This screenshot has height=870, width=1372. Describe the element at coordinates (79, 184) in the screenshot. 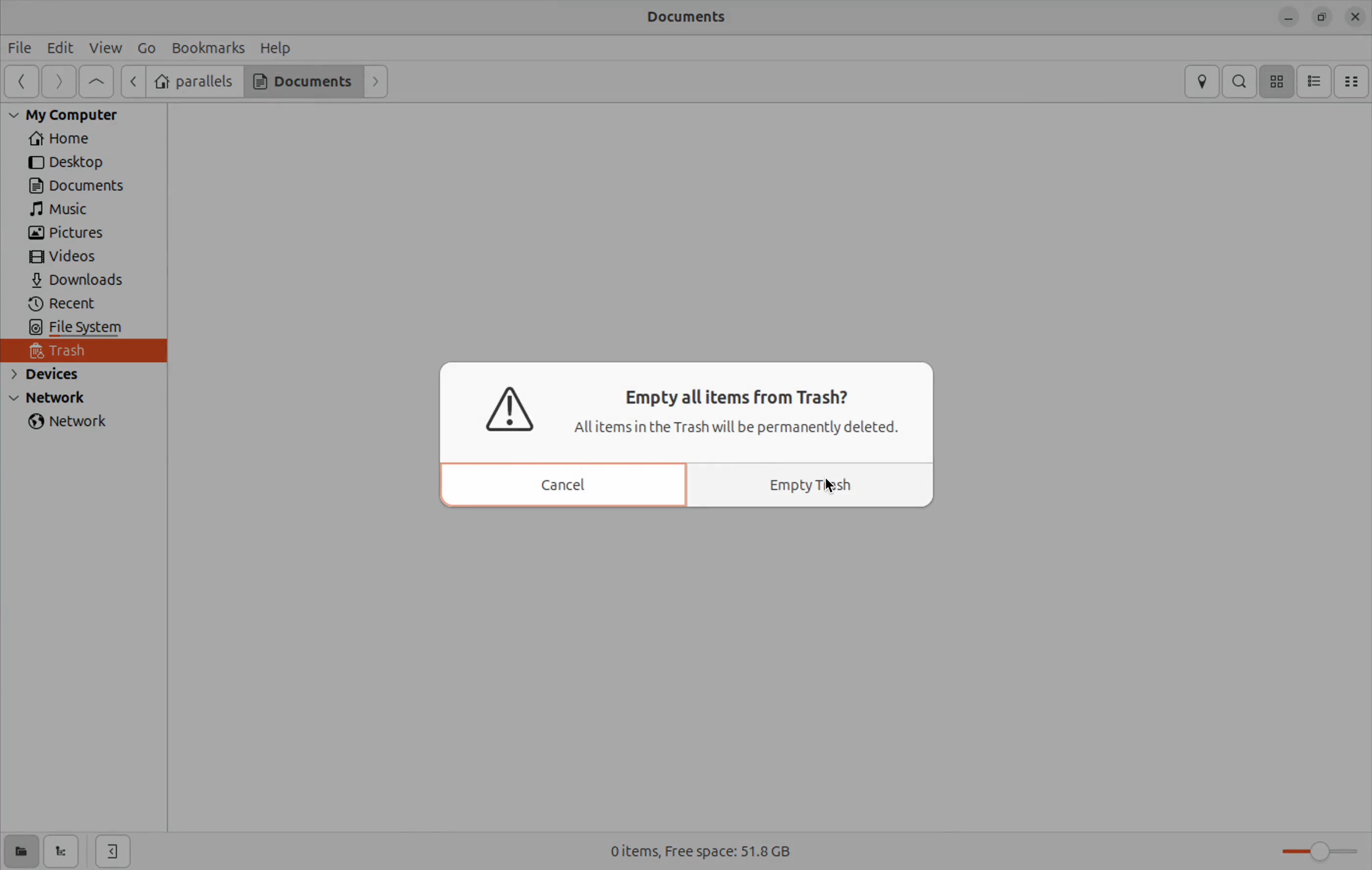

I see `Documents` at that location.